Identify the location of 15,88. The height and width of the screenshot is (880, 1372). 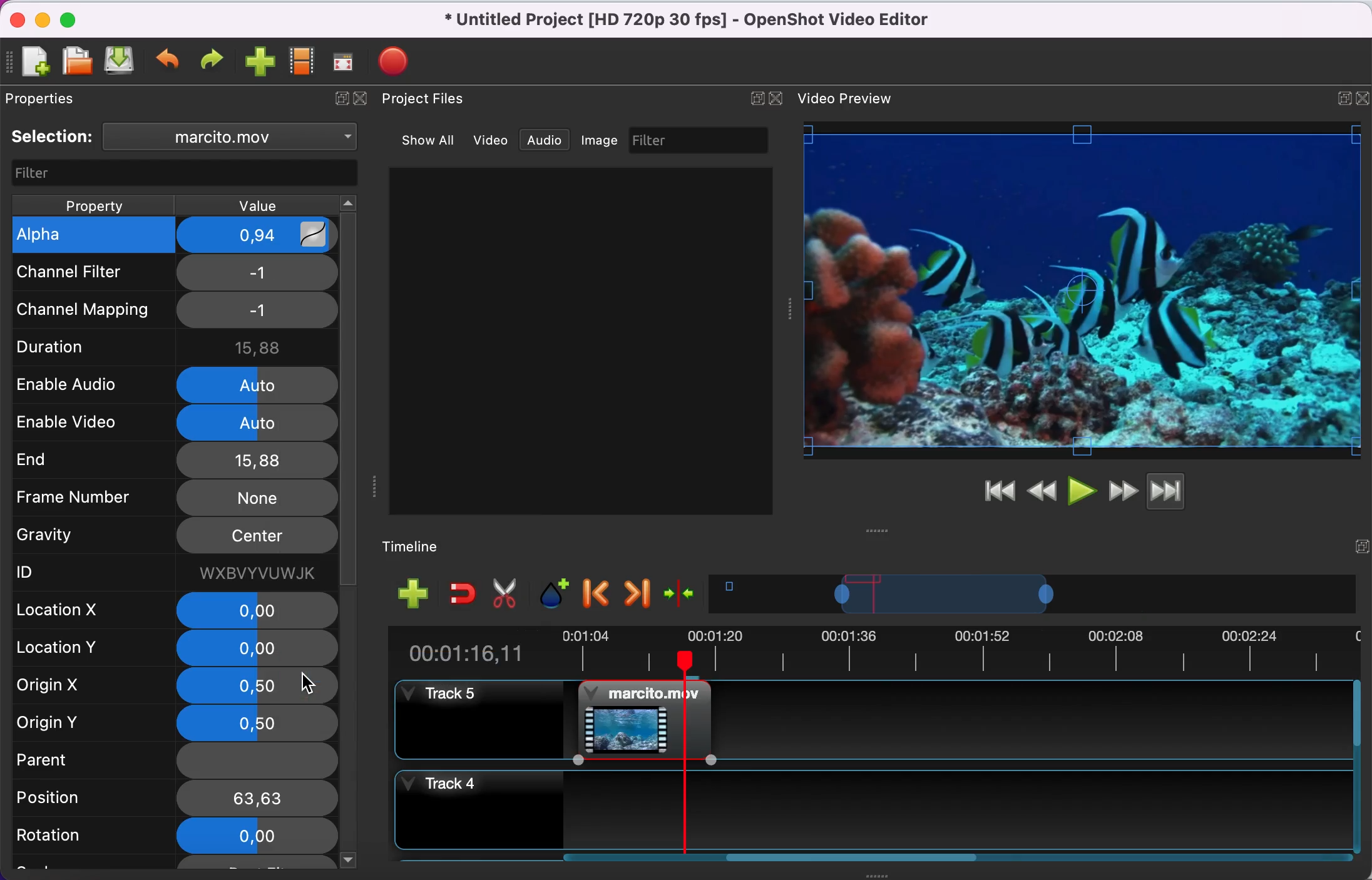
(260, 347).